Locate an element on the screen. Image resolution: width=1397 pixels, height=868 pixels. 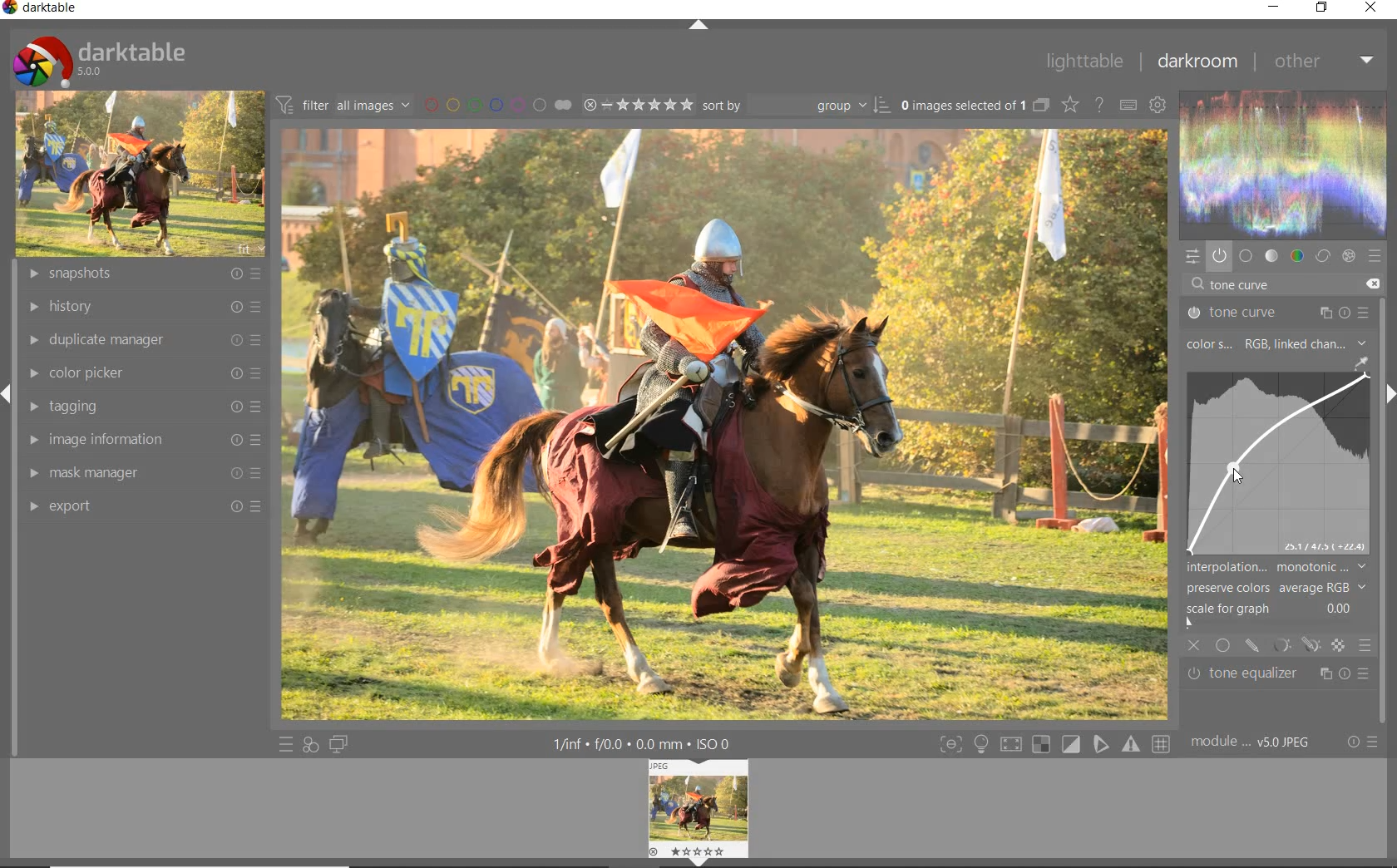
expand/collapse is located at coordinates (698, 26).